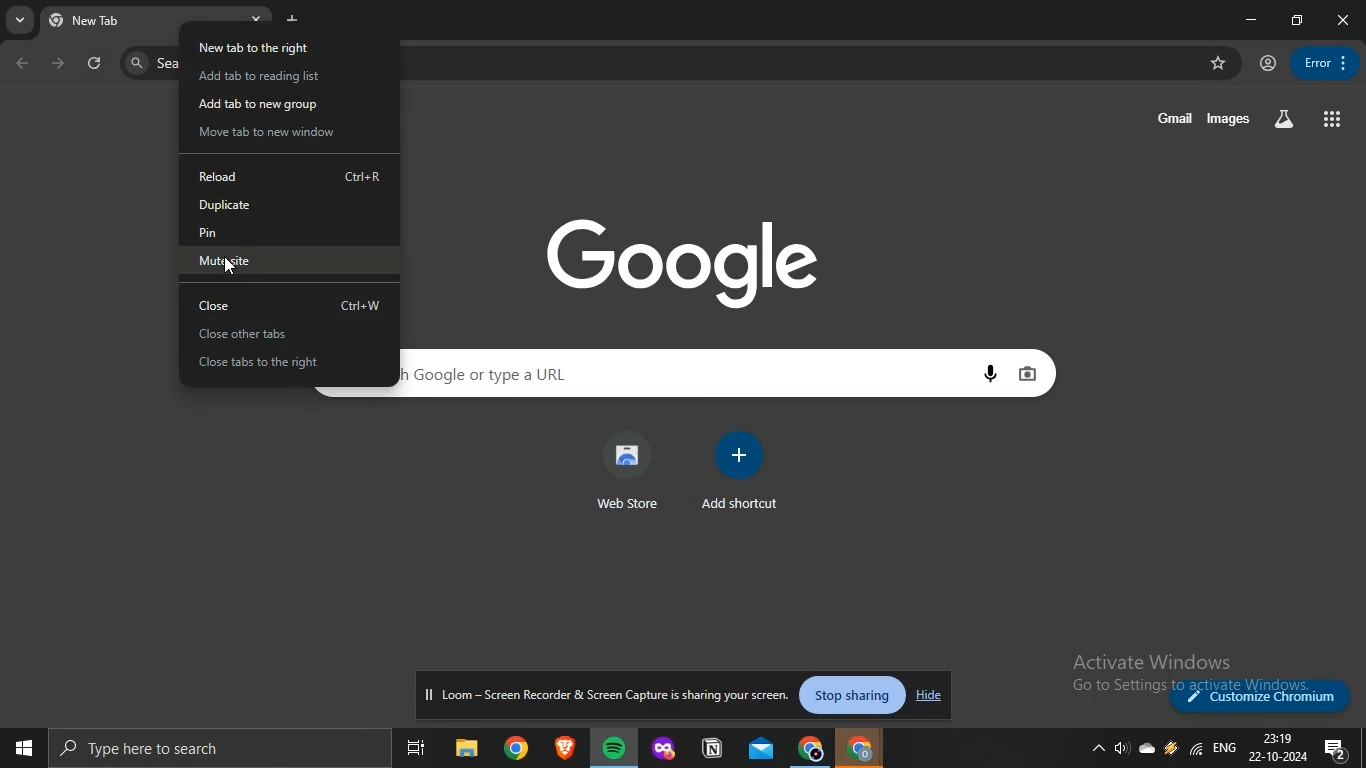 This screenshot has width=1366, height=768. What do you see at coordinates (627, 471) in the screenshot?
I see `web store` at bounding box center [627, 471].